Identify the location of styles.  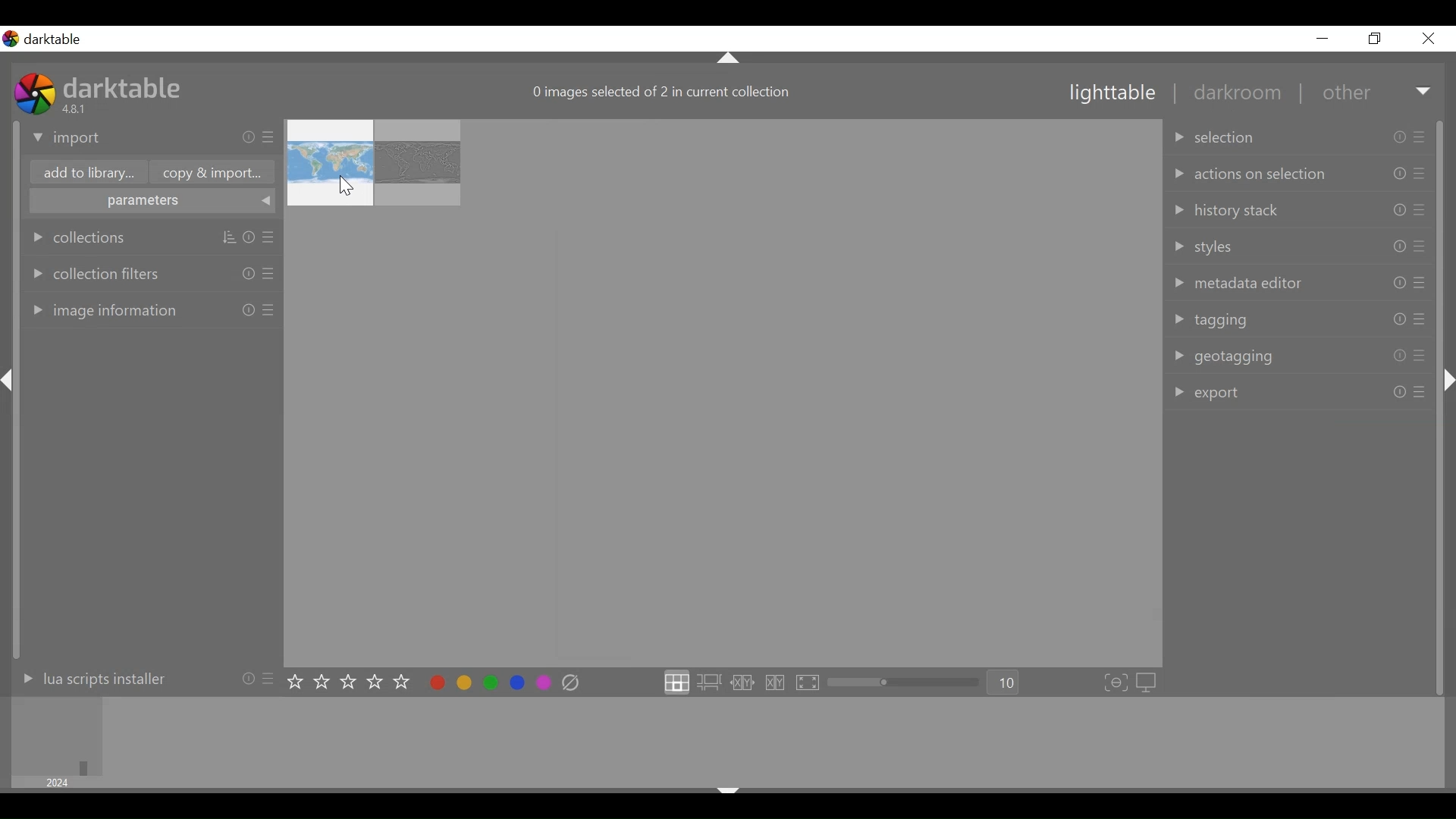
(1302, 246).